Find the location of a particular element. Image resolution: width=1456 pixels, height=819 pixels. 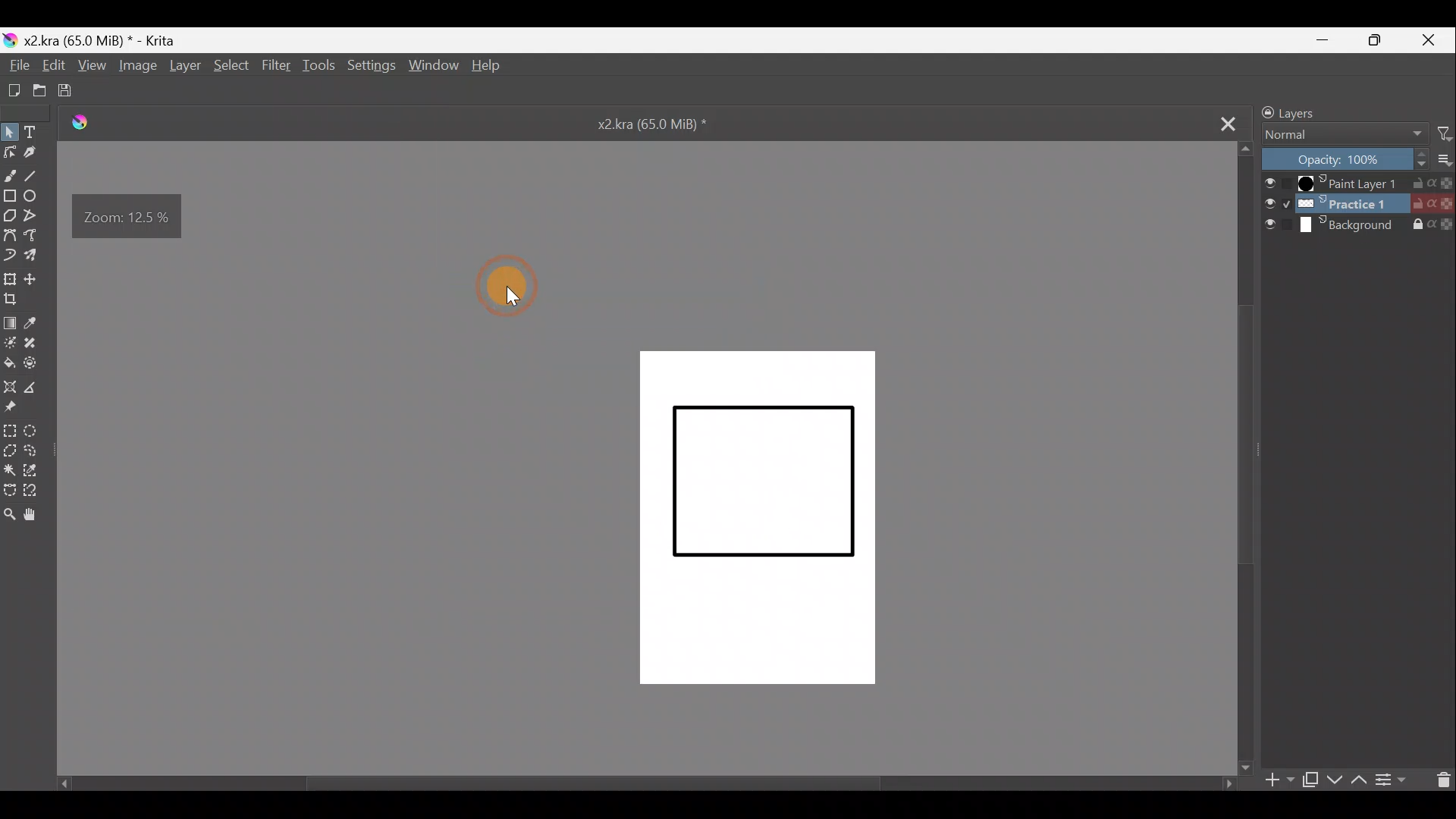

Save is located at coordinates (75, 90).